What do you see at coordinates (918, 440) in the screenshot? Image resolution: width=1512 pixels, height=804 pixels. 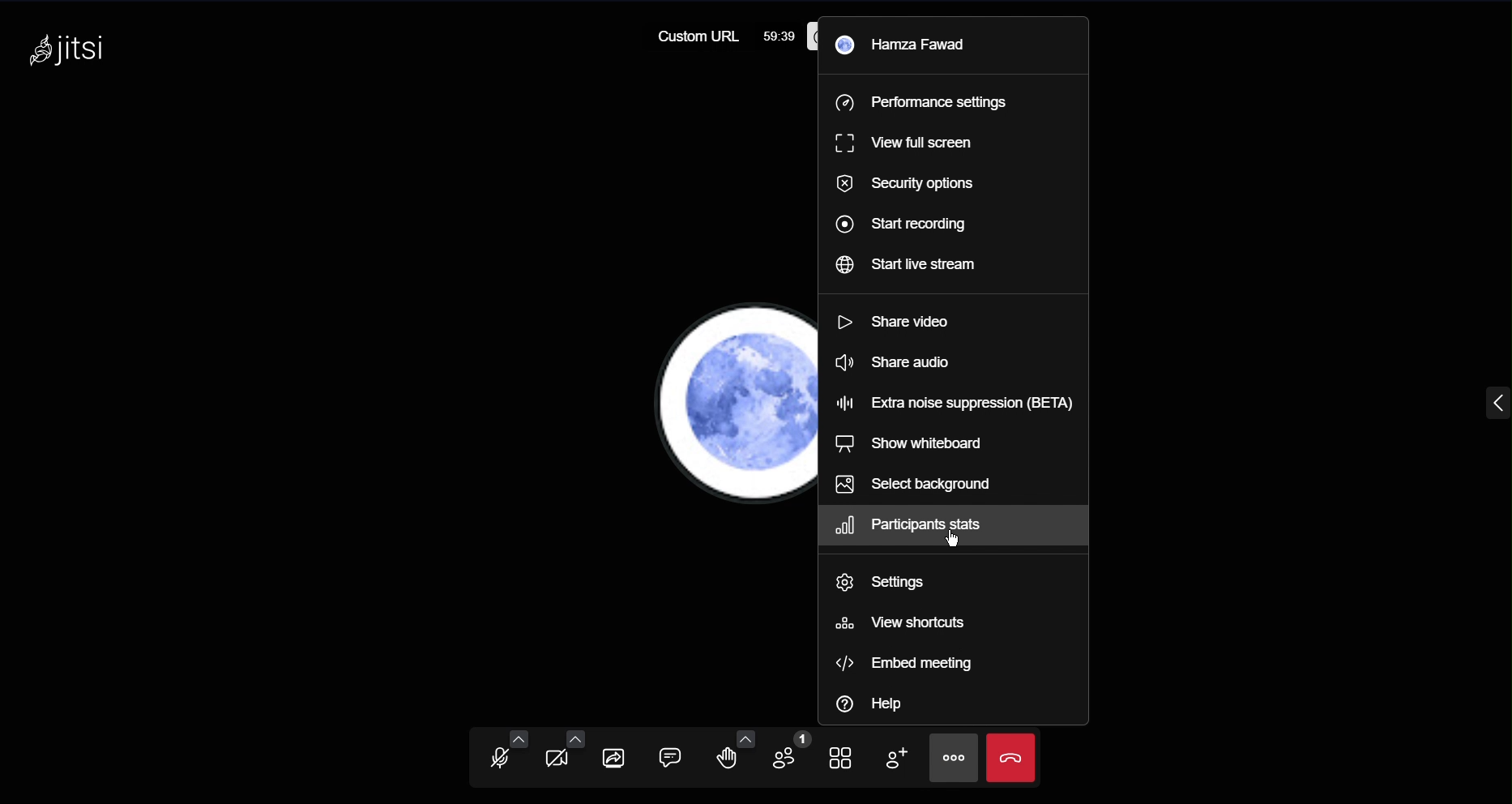 I see `Show whiteboard` at bounding box center [918, 440].